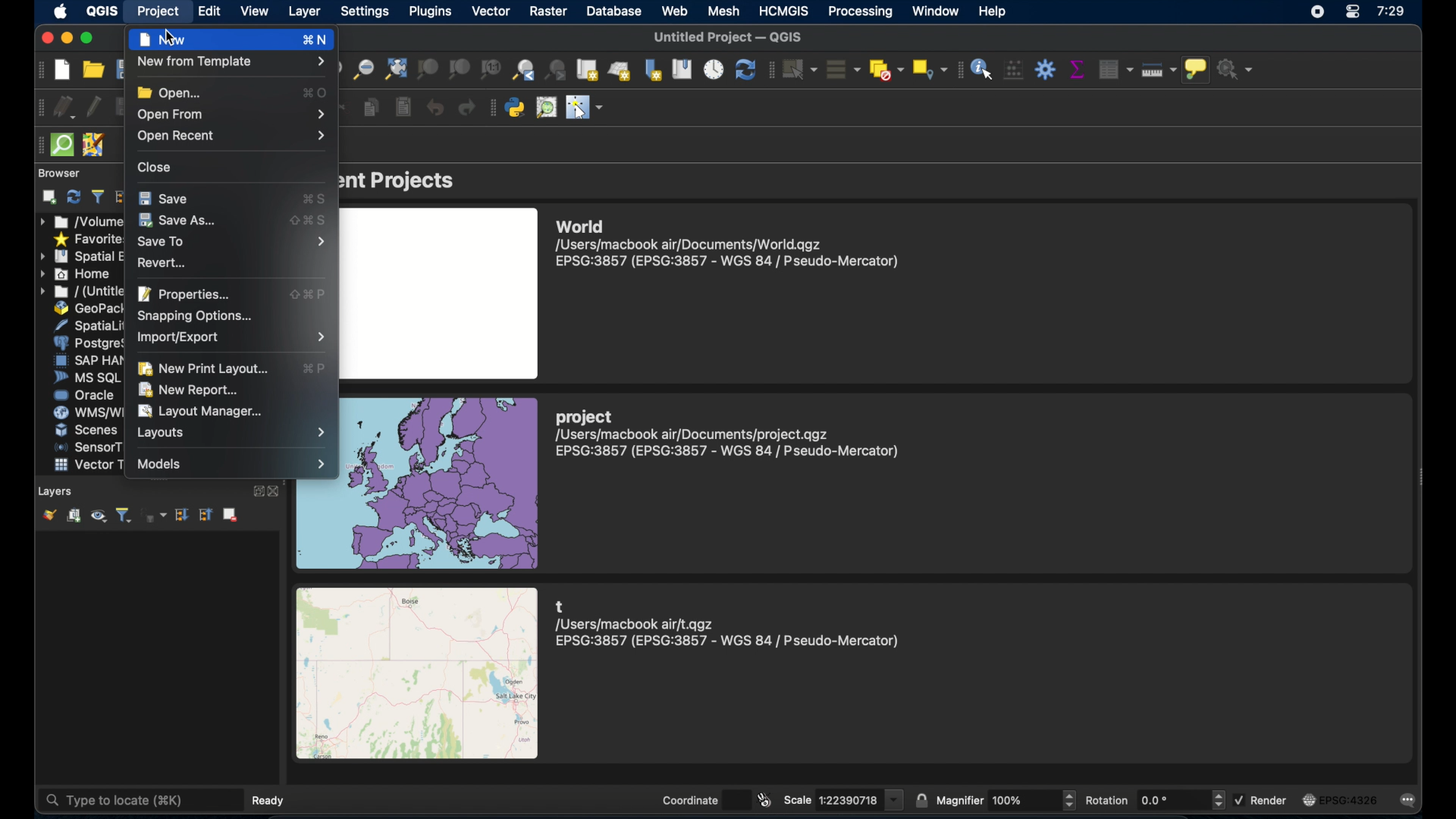 The image size is (1456, 819). What do you see at coordinates (303, 11) in the screenshot?
I see `layer` at bounding box center [303, 11].